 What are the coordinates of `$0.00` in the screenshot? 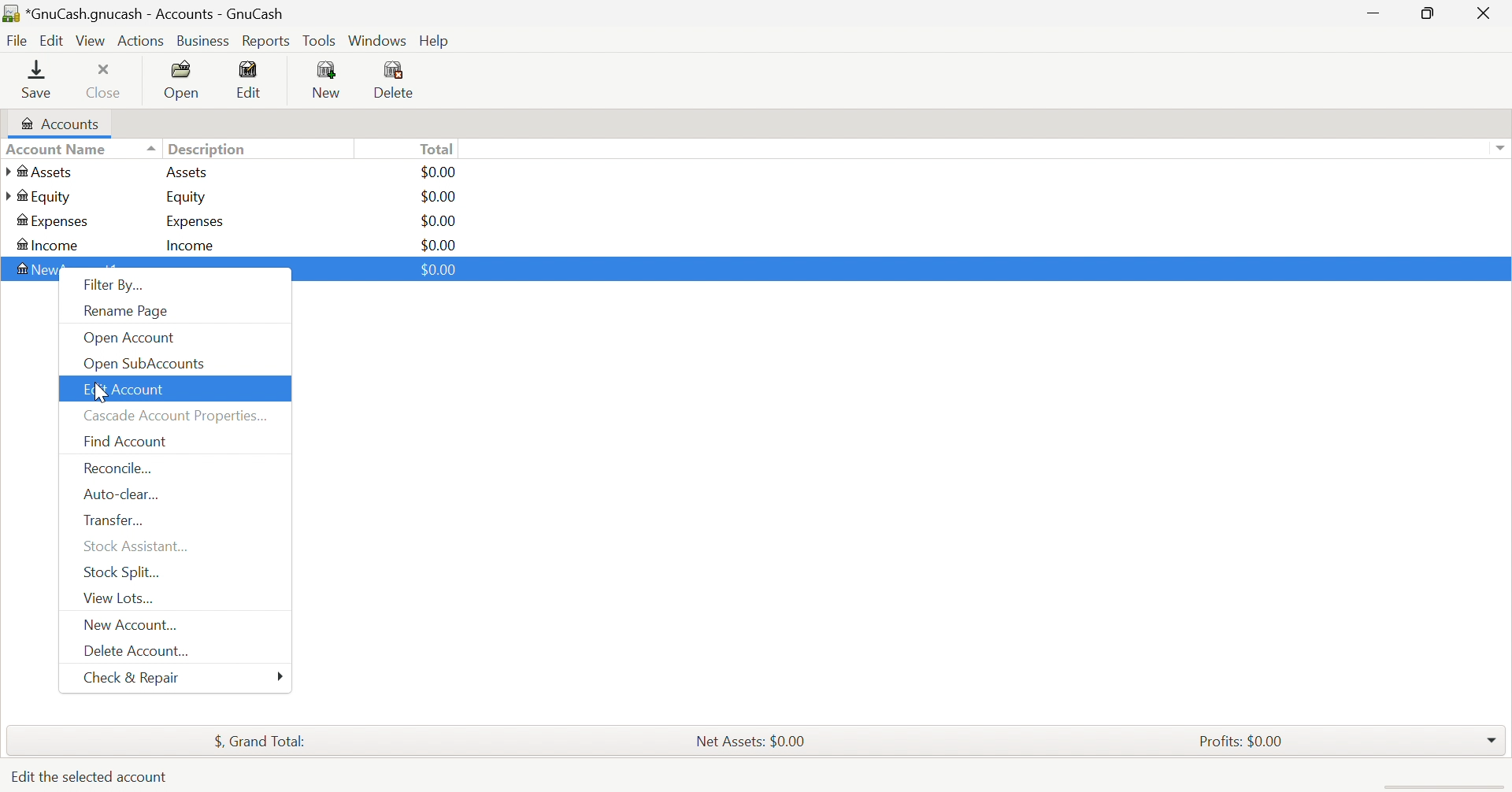 It's located at (437, 270).